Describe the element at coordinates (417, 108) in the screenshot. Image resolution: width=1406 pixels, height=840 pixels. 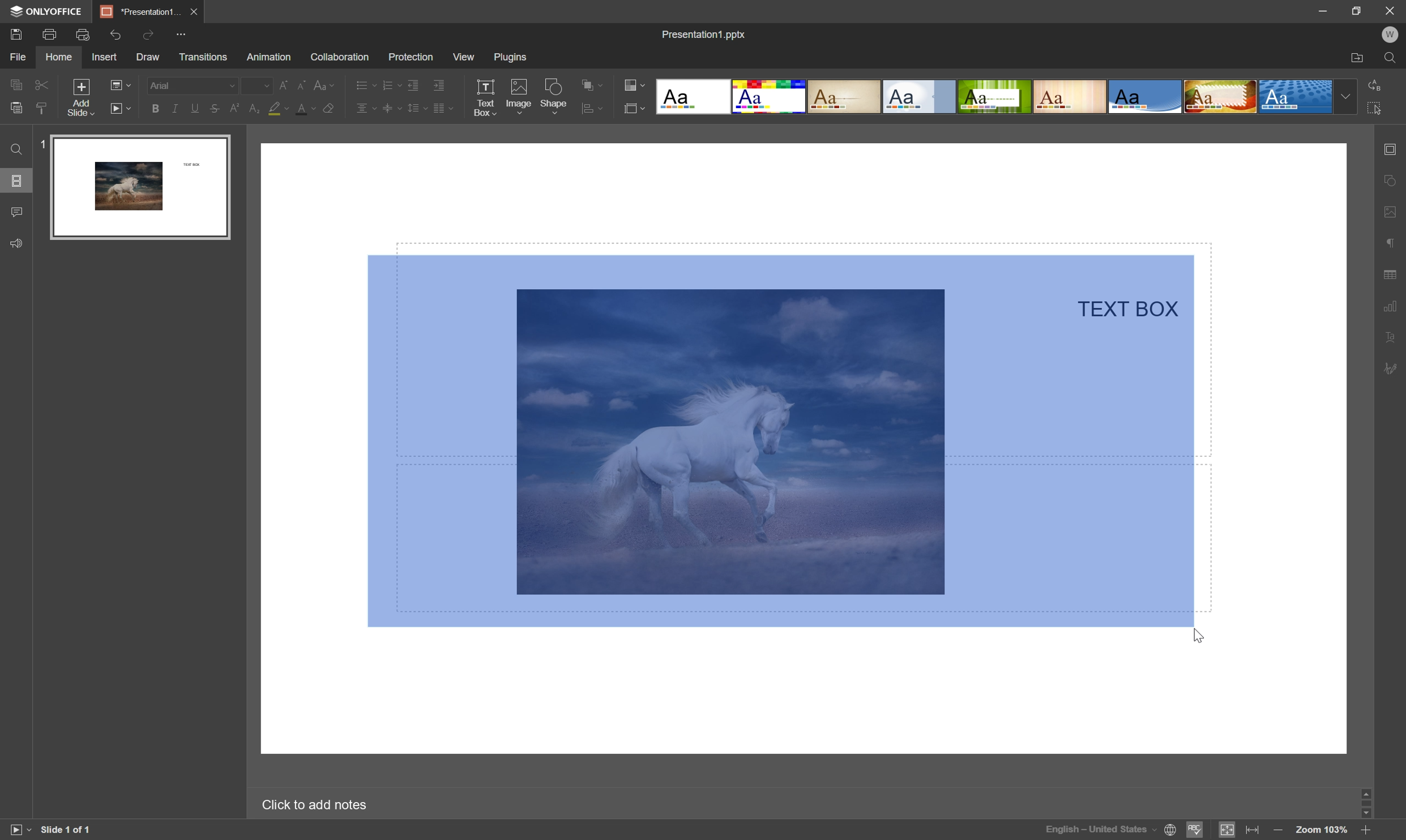
I see `line spacing` at that location.